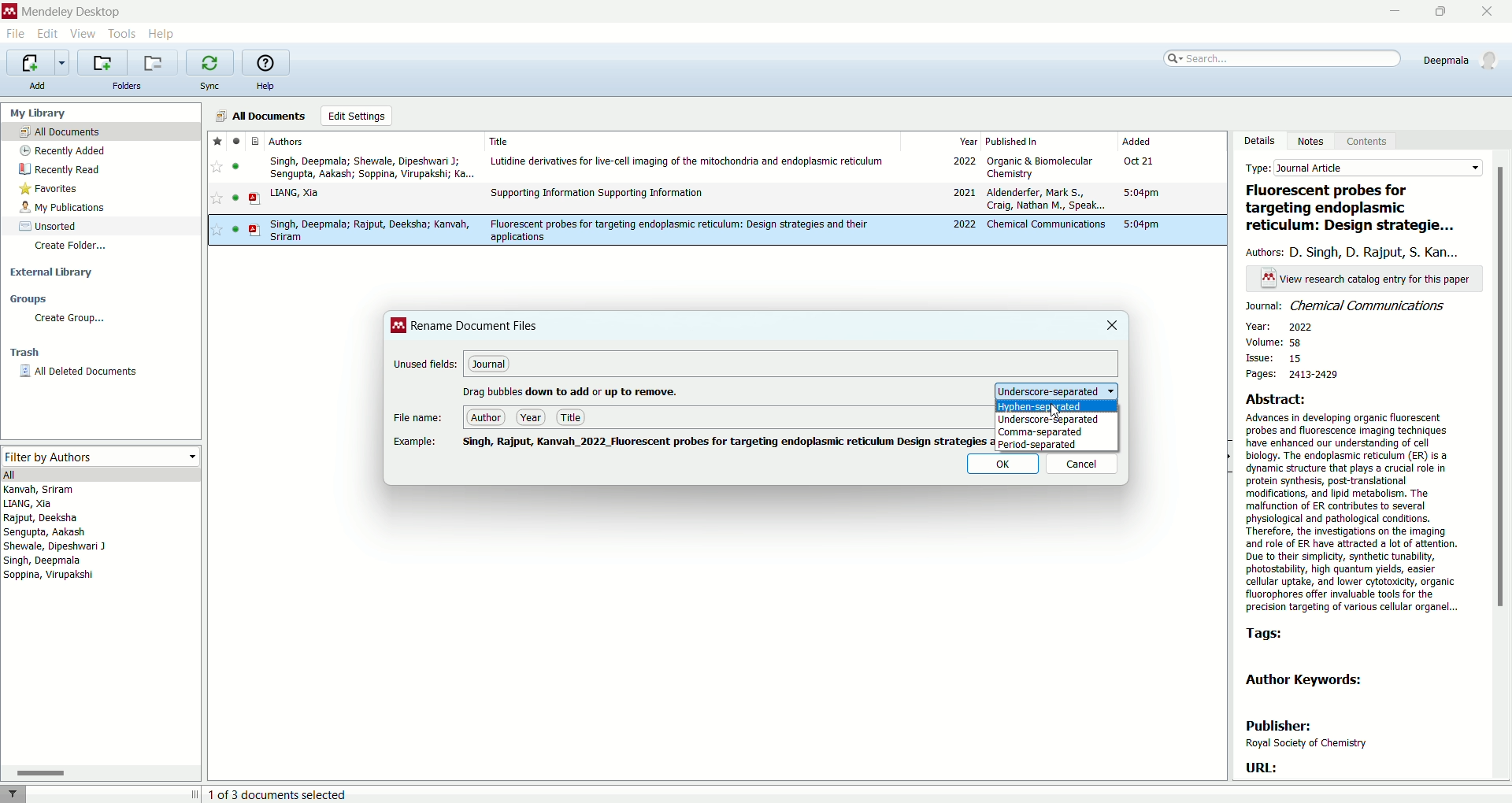 Image resolution: width=1512 pixels, height=803 pixels. I want to click on favorite, so click(217, 168).